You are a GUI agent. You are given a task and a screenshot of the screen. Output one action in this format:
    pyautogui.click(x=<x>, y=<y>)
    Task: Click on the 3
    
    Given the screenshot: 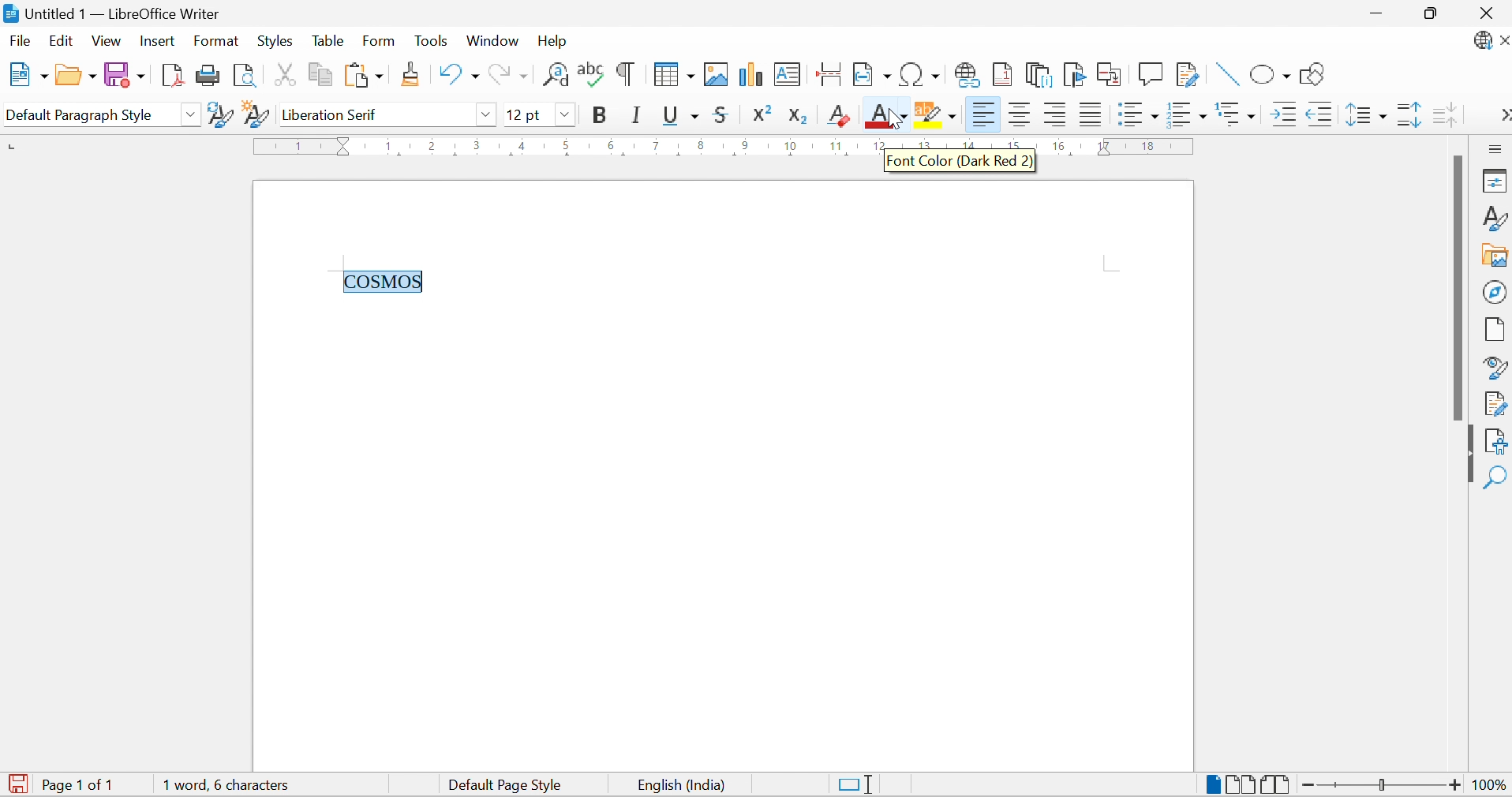 What is the action you would take?
    pyautogui.click(x=478, y=144)
    